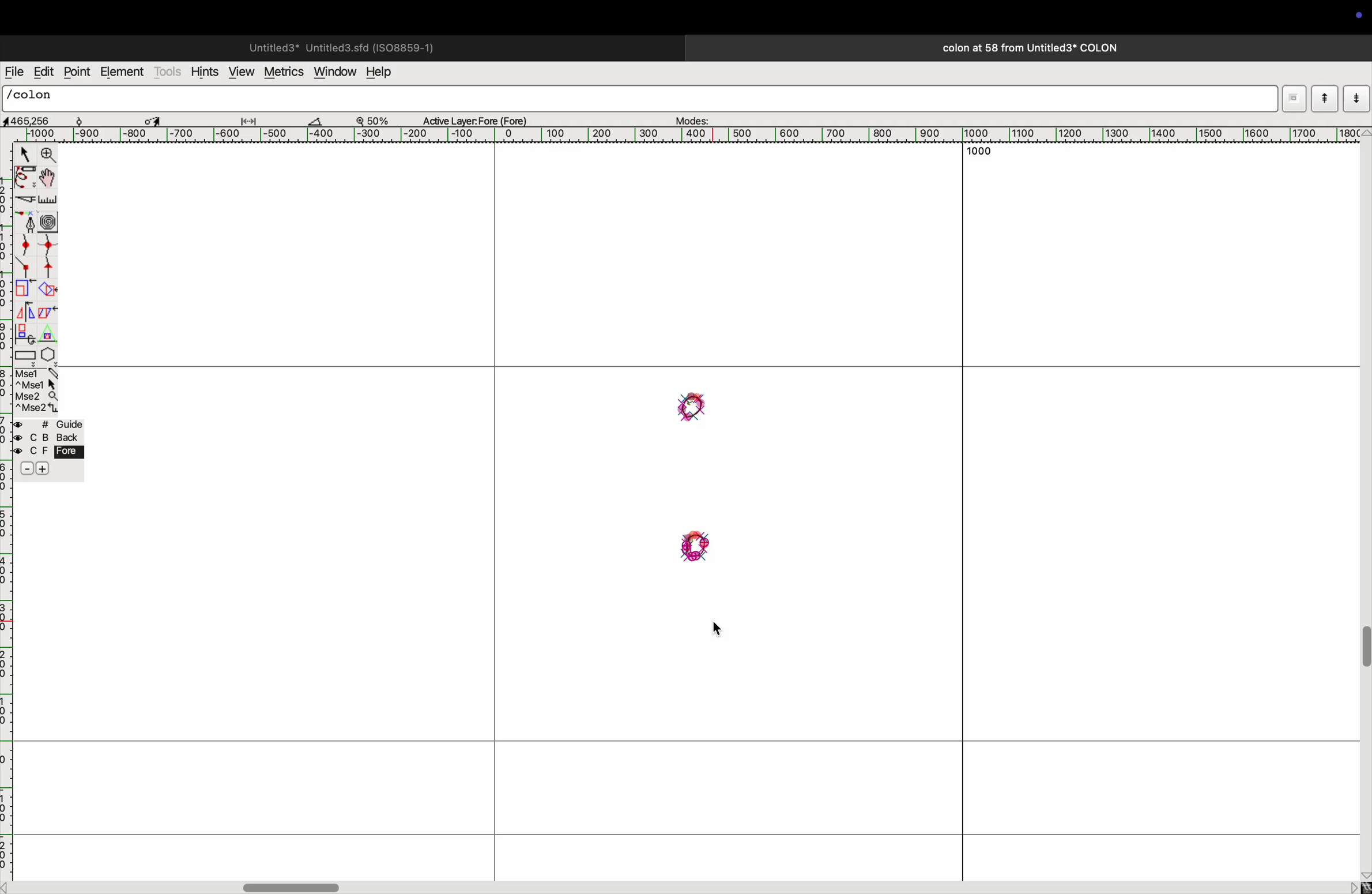  What do you see at coordinates (49, 155) in the screenshot?
I see `zoom` at bounding box center [49, 155].